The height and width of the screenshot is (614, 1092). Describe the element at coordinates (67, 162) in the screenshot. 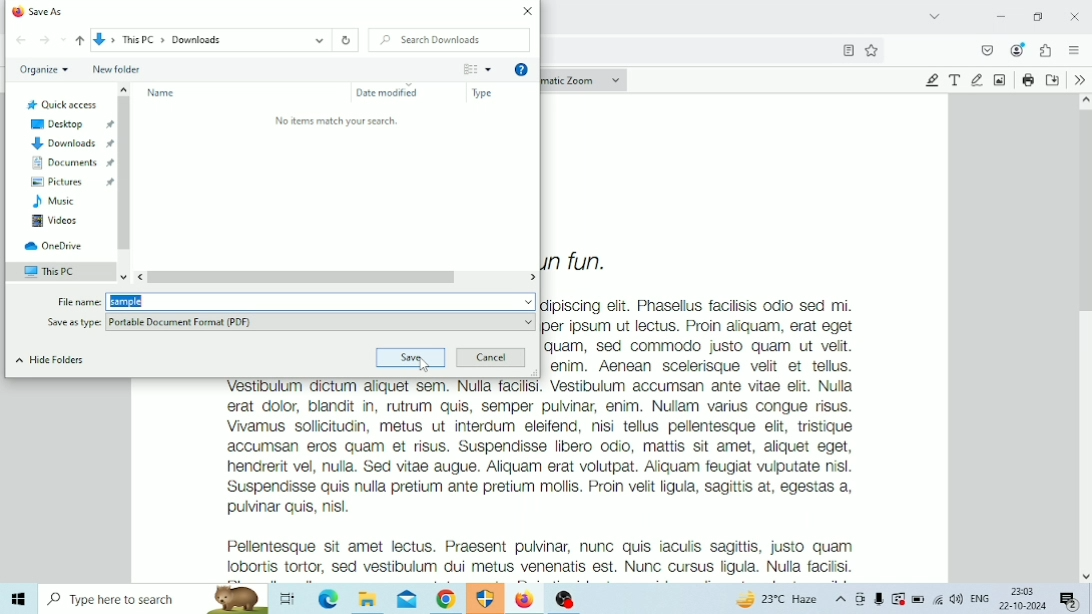

I see `Documents` at that location.